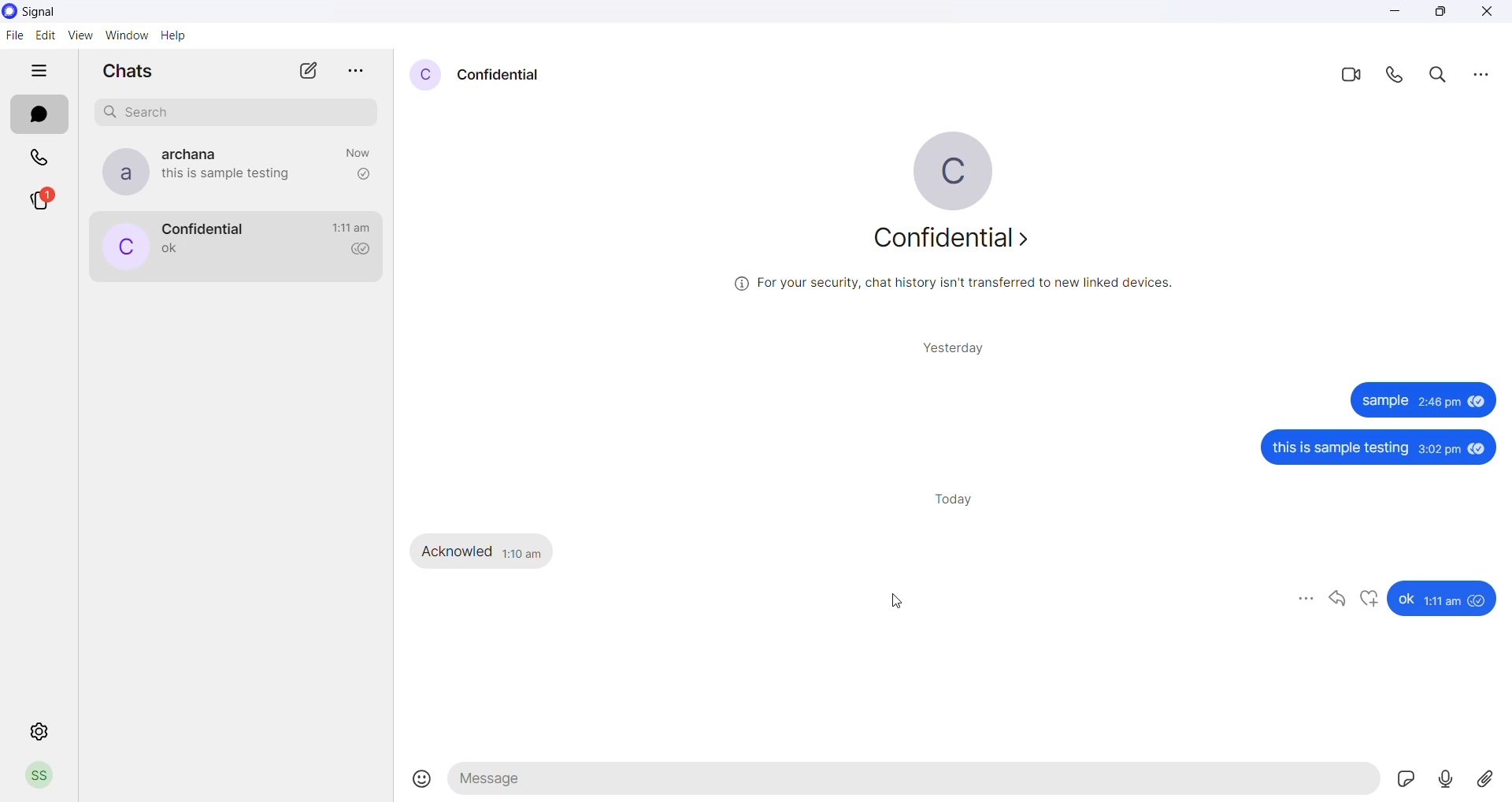 The height and width of the screenshot is (802, 1512). Describe the element at coordinates (1444, 601) in the screenshot. I see `1:11am` at that location.